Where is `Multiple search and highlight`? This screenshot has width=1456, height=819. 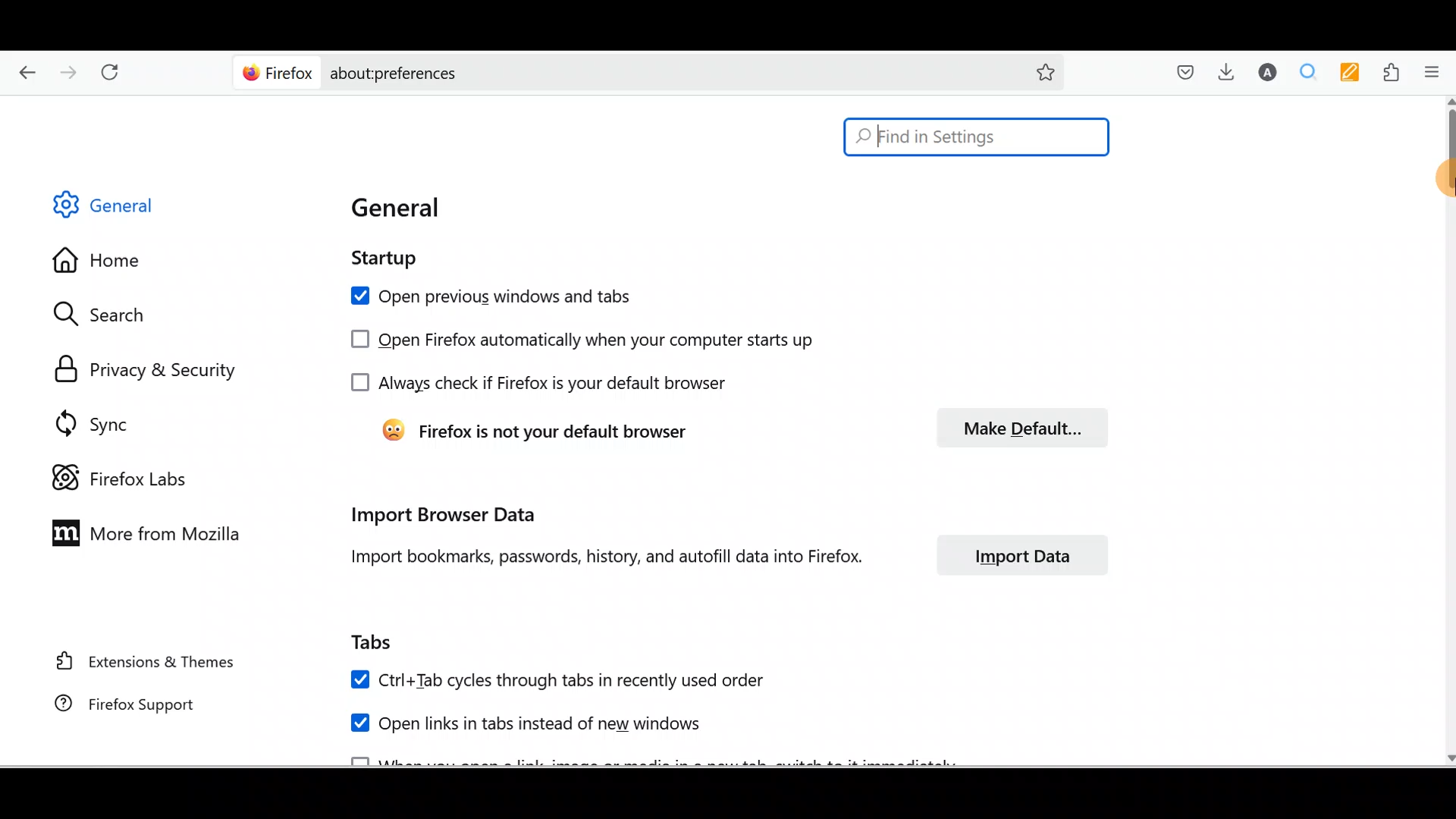 Multiple search and highlight is located at coordinates (1313, 72).